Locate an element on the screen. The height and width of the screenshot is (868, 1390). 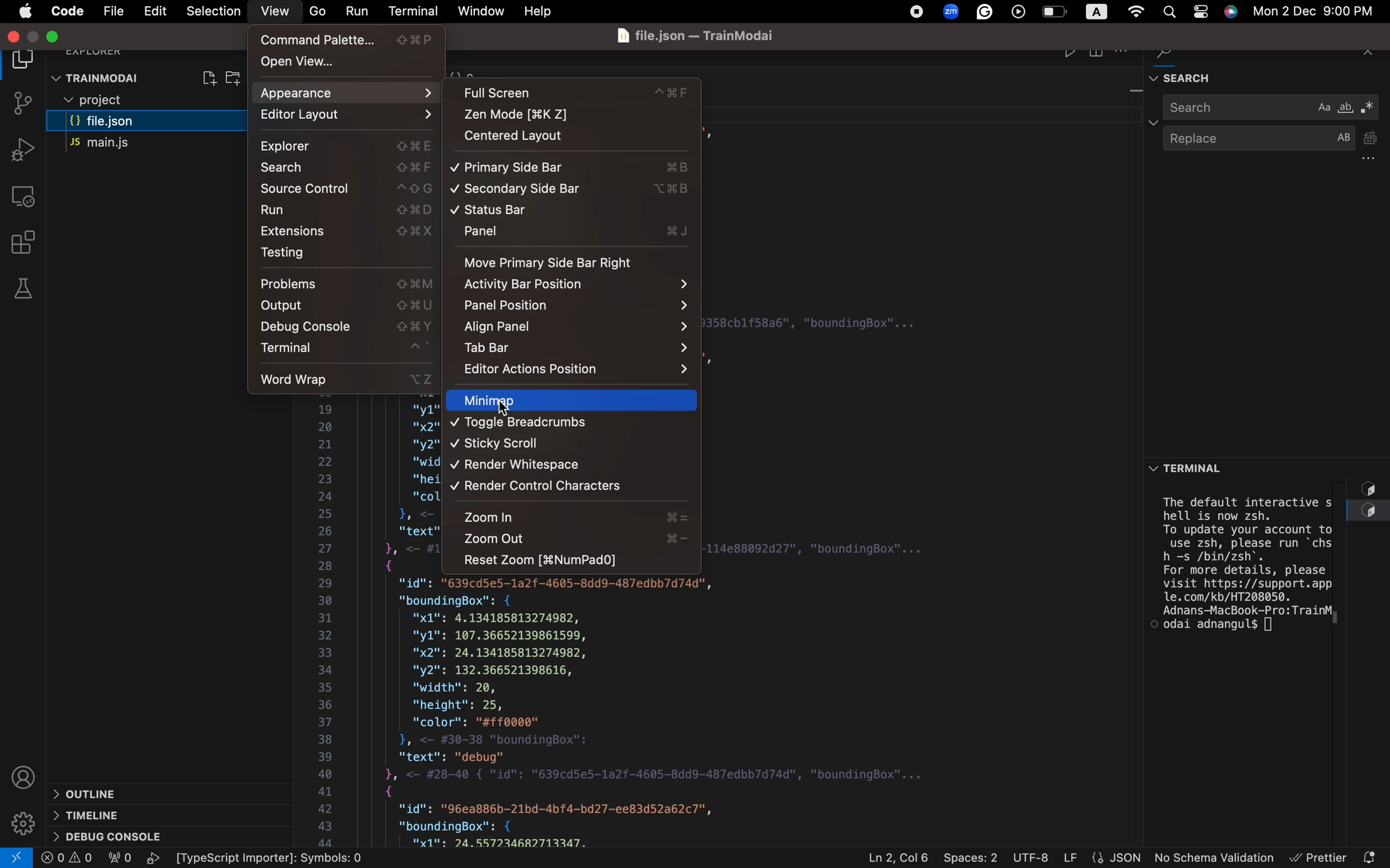
status bar is located at coordinates (569, 209).